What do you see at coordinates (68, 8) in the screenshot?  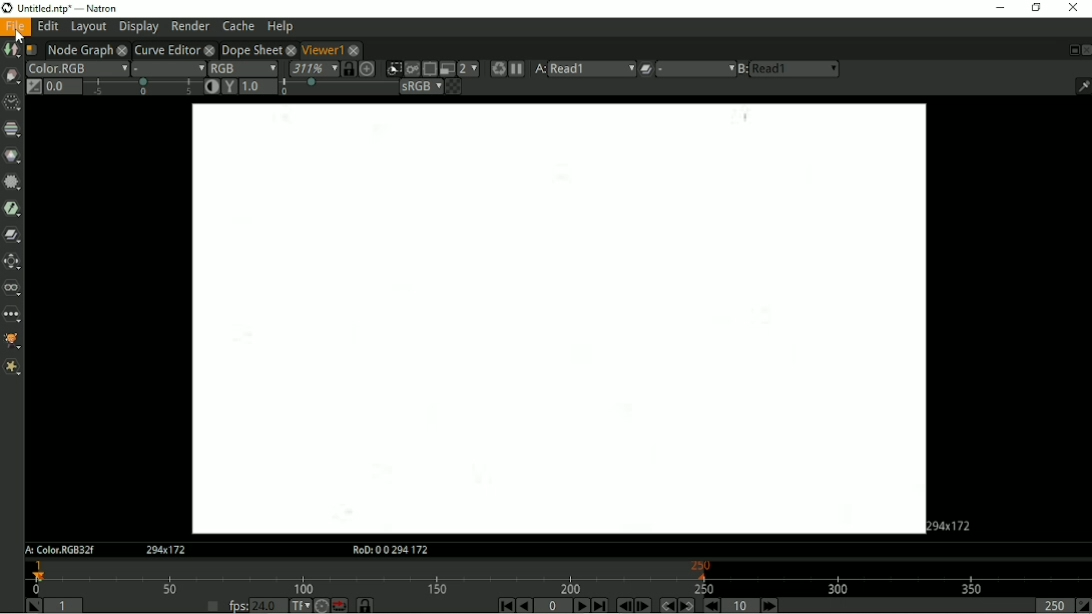 I see `title` at bounding box center [68, 8].